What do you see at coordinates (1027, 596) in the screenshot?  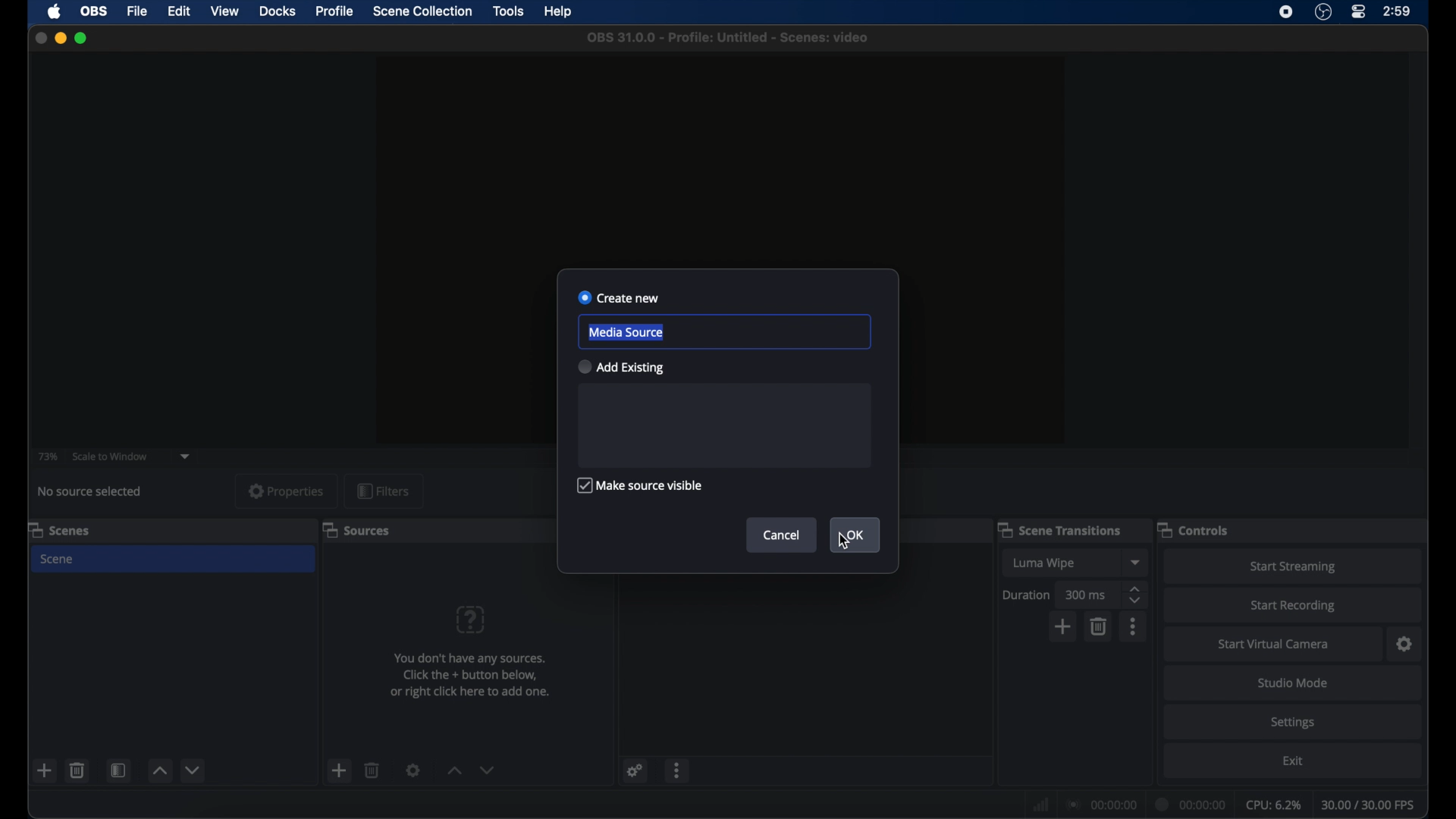 I see `duration` at bounding box center [1027, 596].